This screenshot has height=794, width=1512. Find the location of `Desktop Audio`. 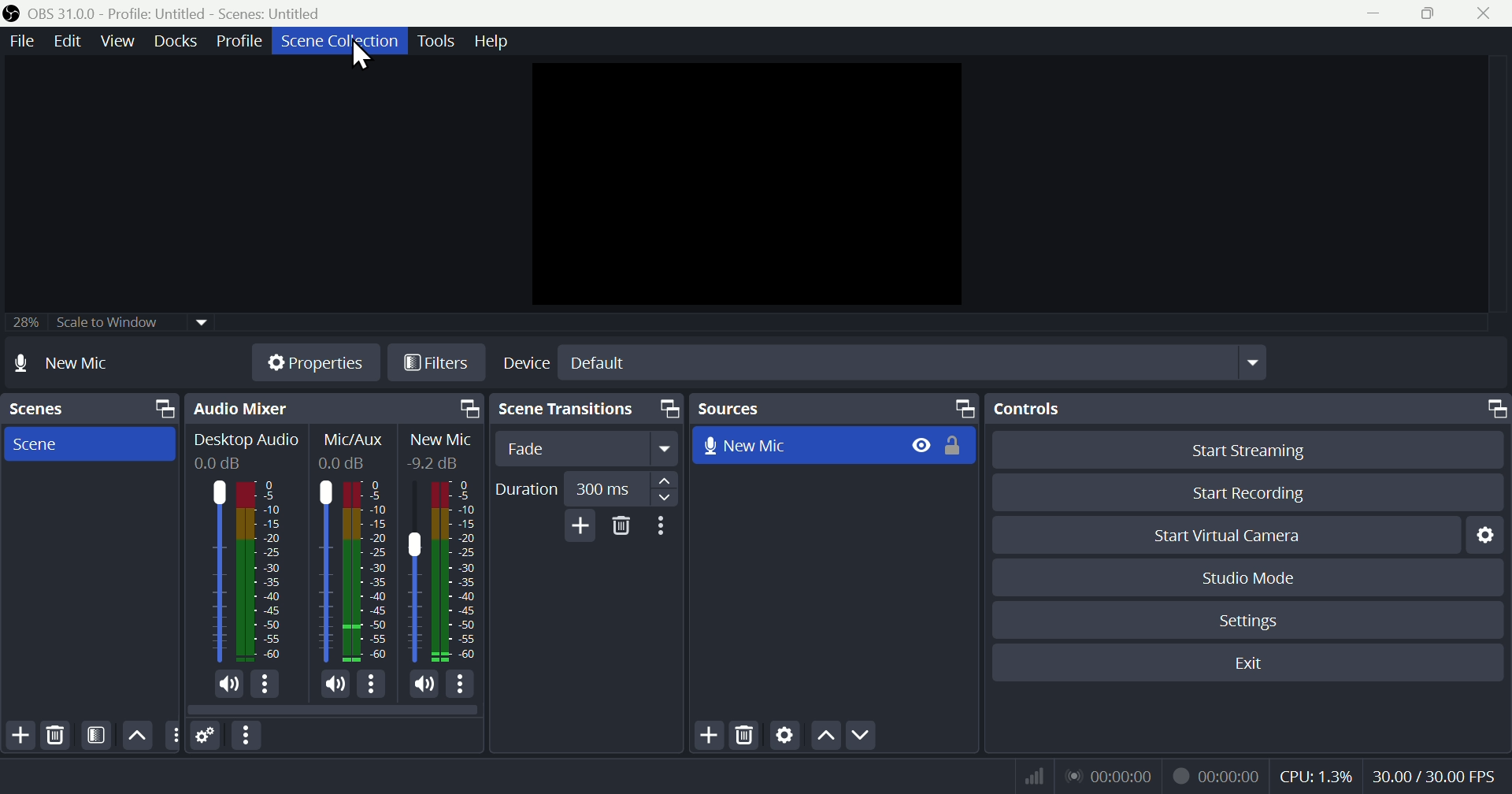

Desktop Audio is located at coordinates (263, 572).